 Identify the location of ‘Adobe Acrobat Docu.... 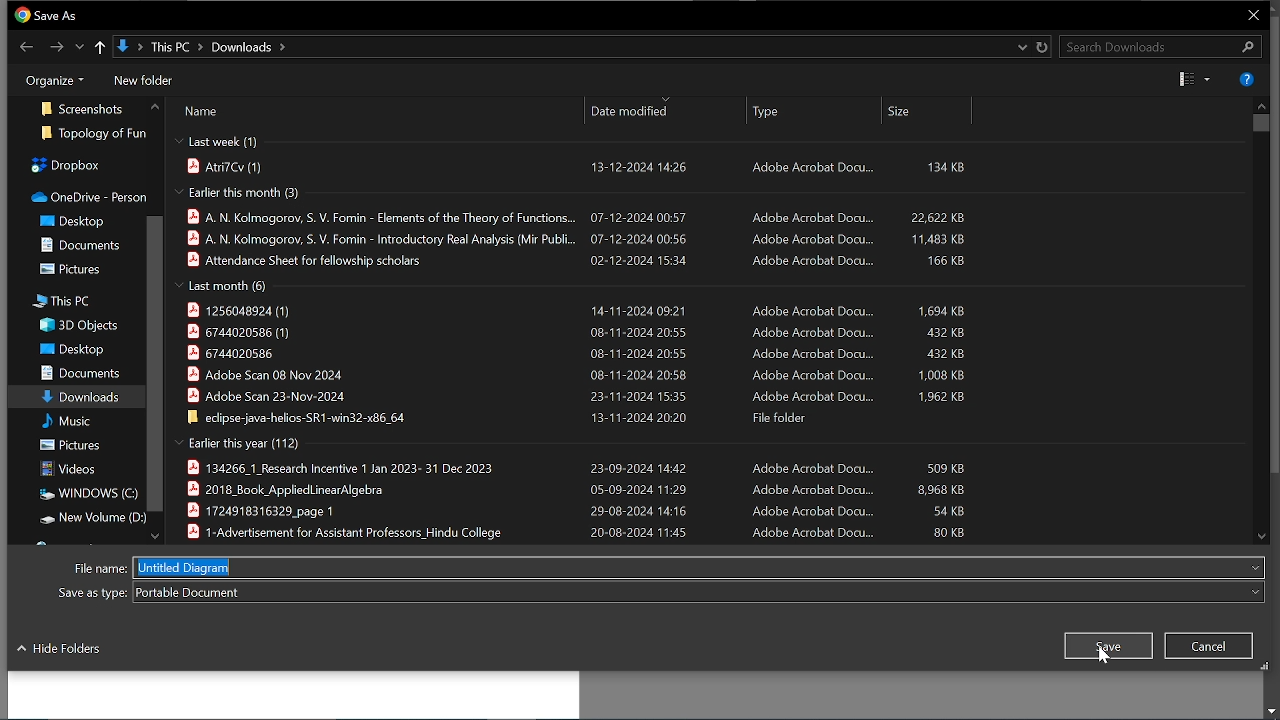
(808, 334).